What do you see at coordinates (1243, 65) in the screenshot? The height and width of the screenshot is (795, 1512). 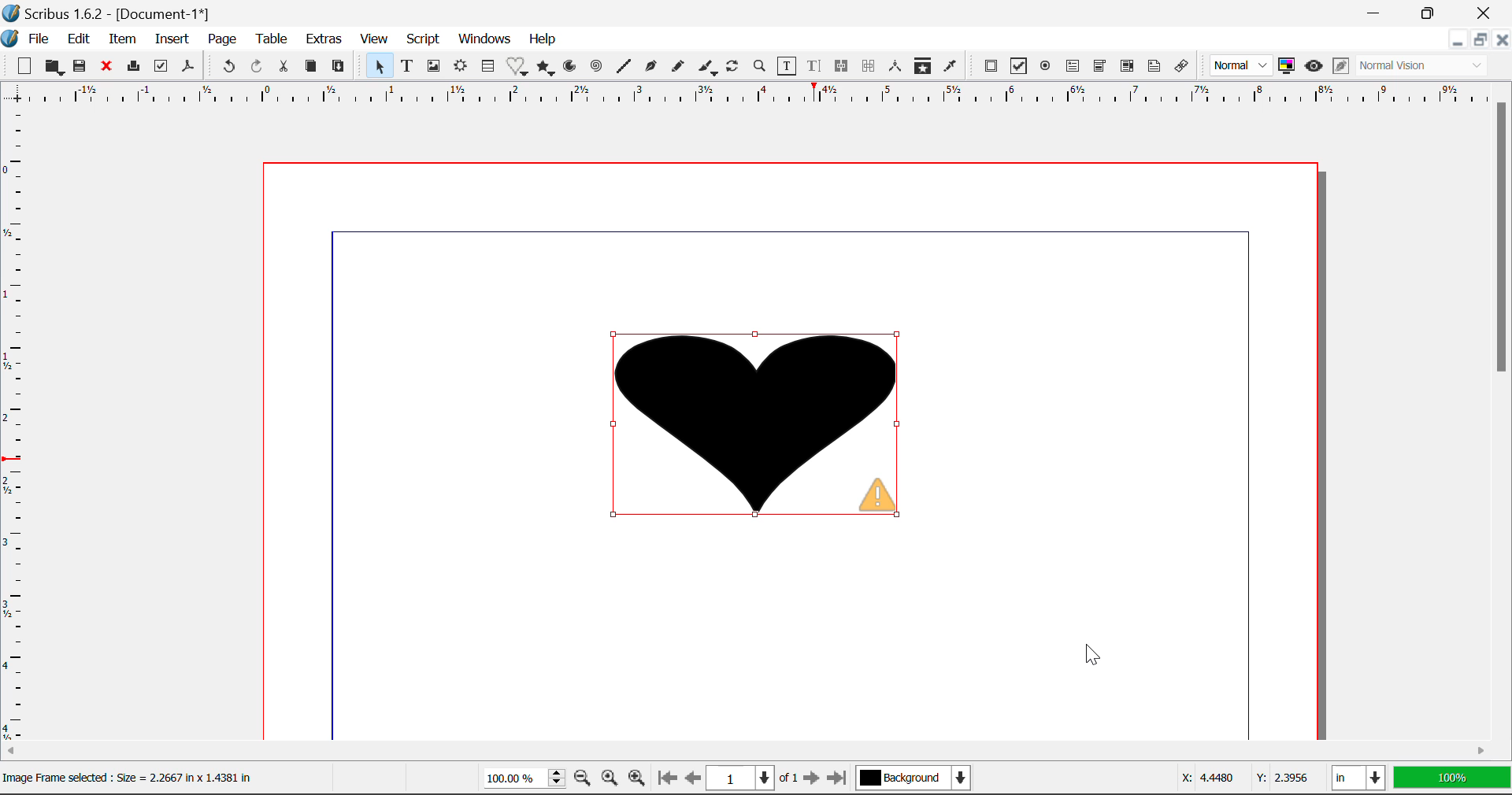 I see `Normal` at bounding box center [1243, 65].